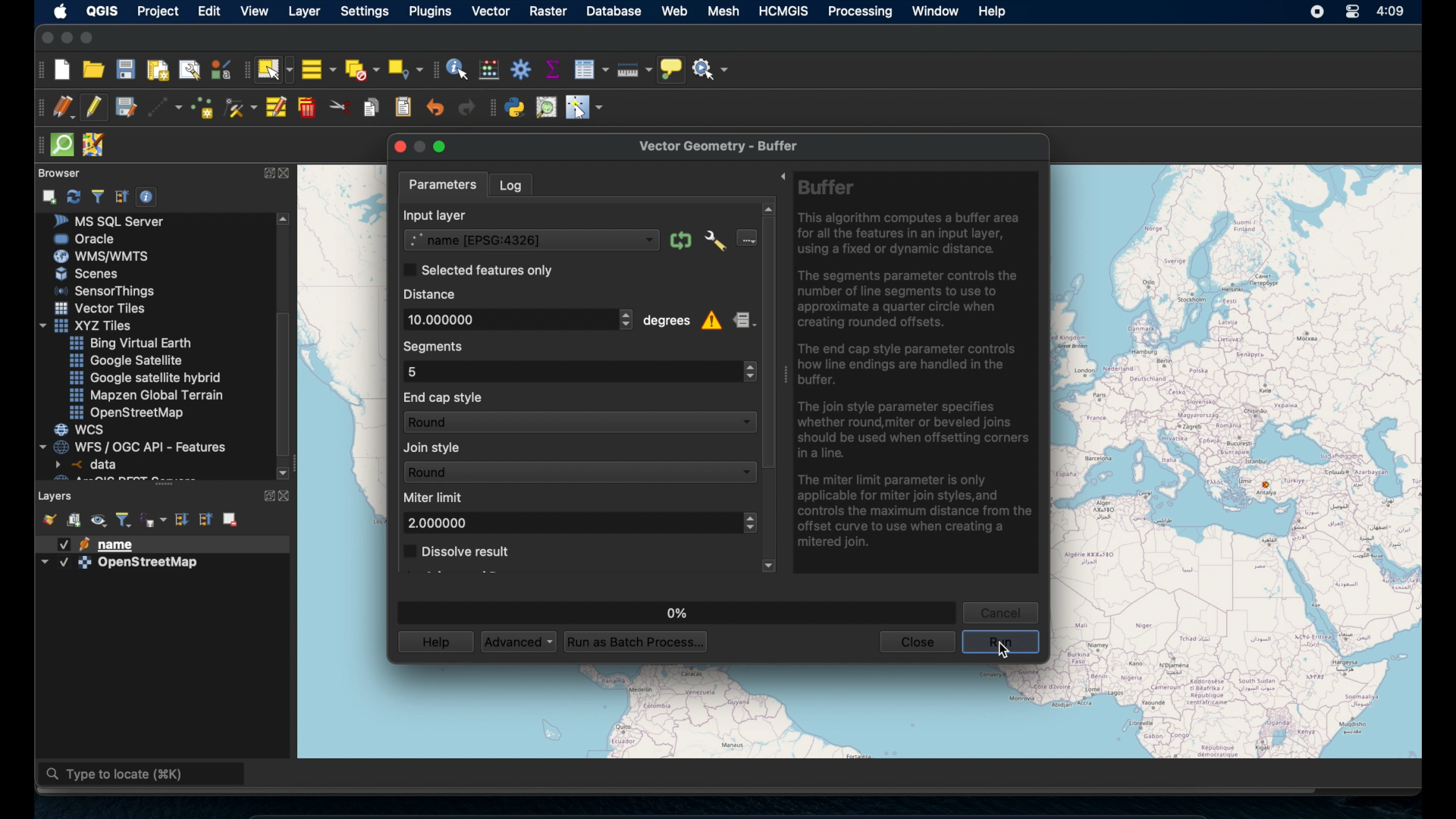  What do you see at coordinates (287, 384) in the screenshot?
I see `scroll box` at bounding box center [287, 384].